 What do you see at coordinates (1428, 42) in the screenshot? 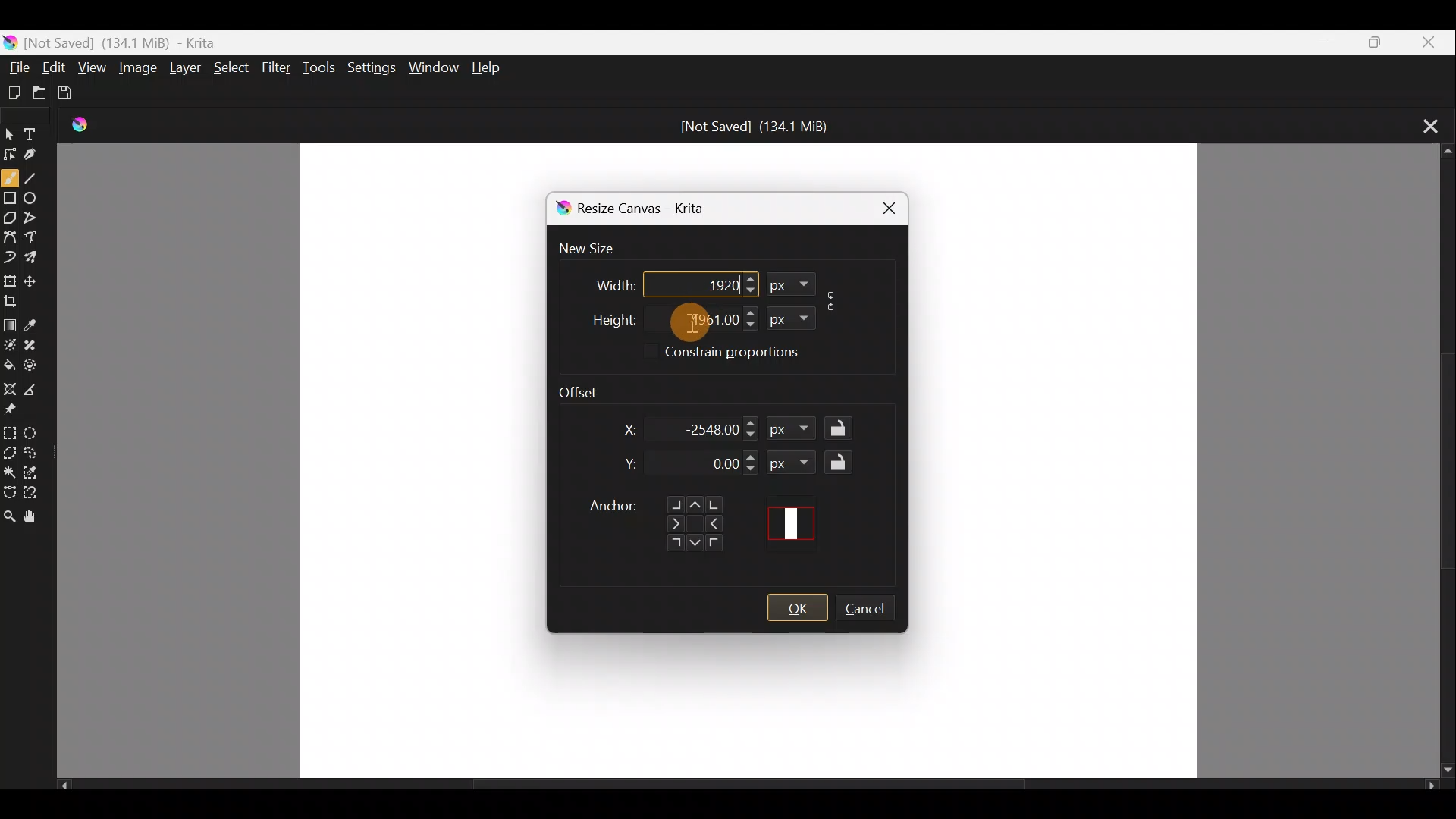
I see `Close` at bounding box center [1428, 42].